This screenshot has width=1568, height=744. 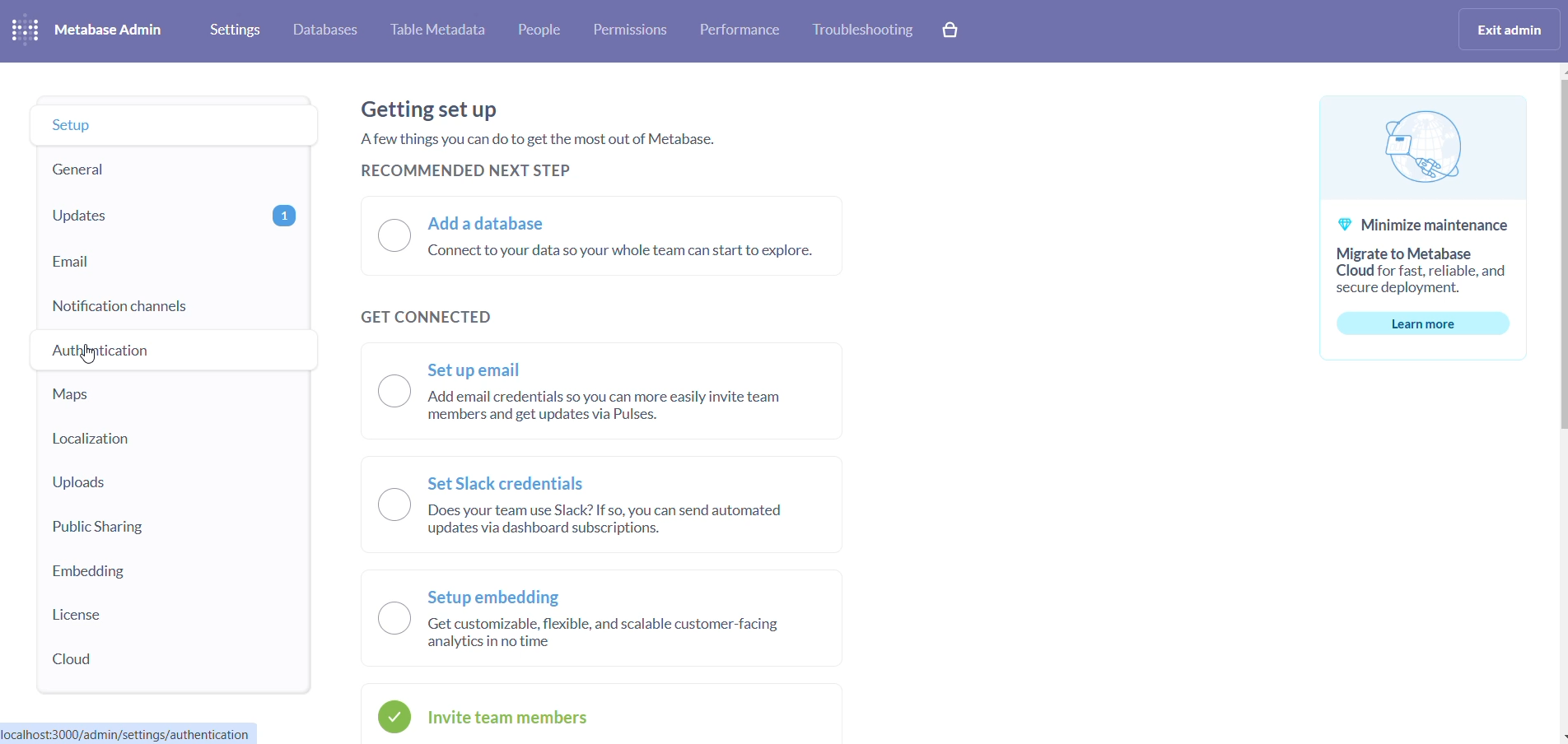 What do you see at coordinates (120, 529) in the screenshot?
I see `public sharing` at bounding box center [120, 529].